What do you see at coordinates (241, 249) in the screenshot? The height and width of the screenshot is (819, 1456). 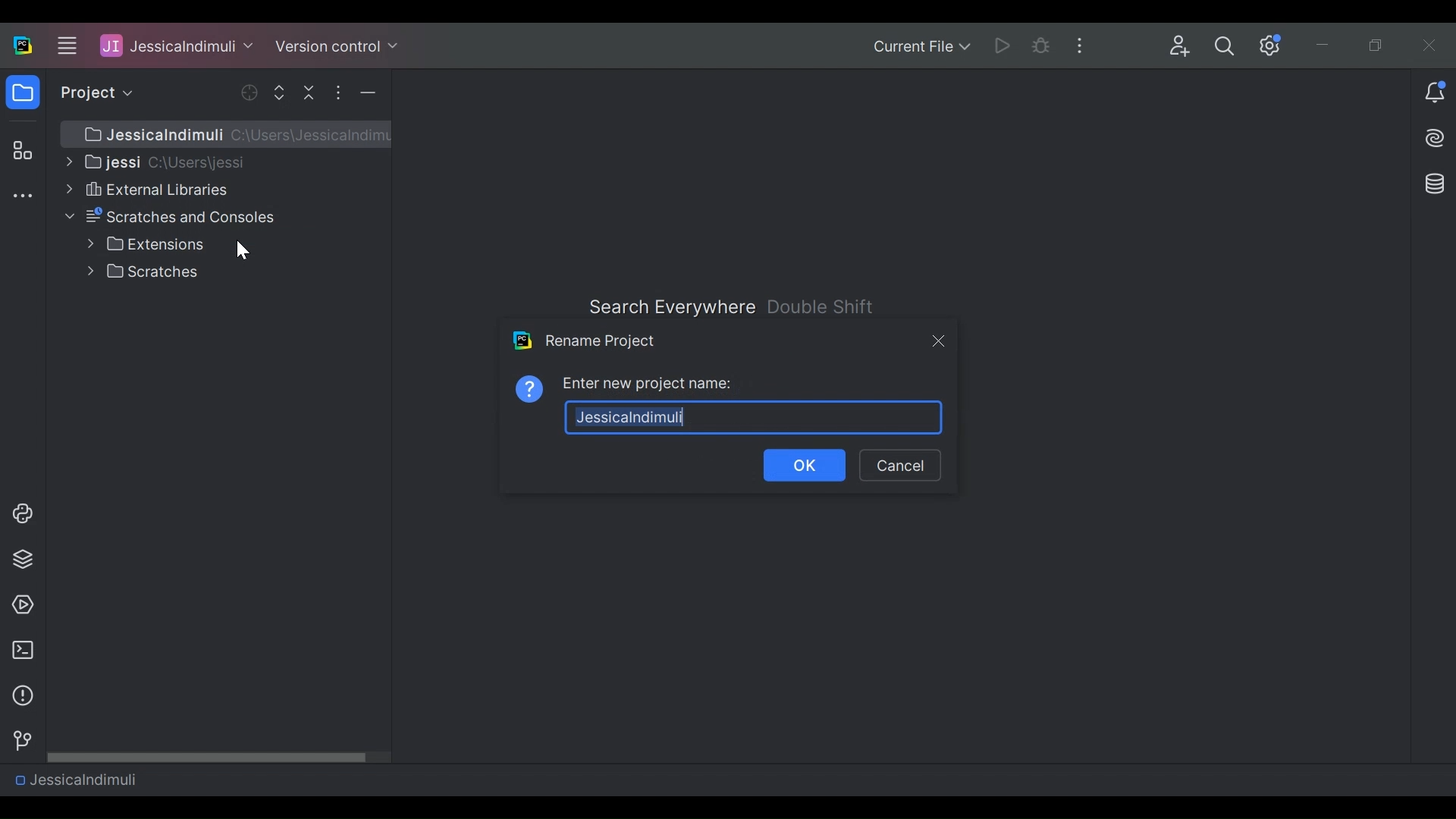 I see `Cursor` at bounding box center [241, 249].